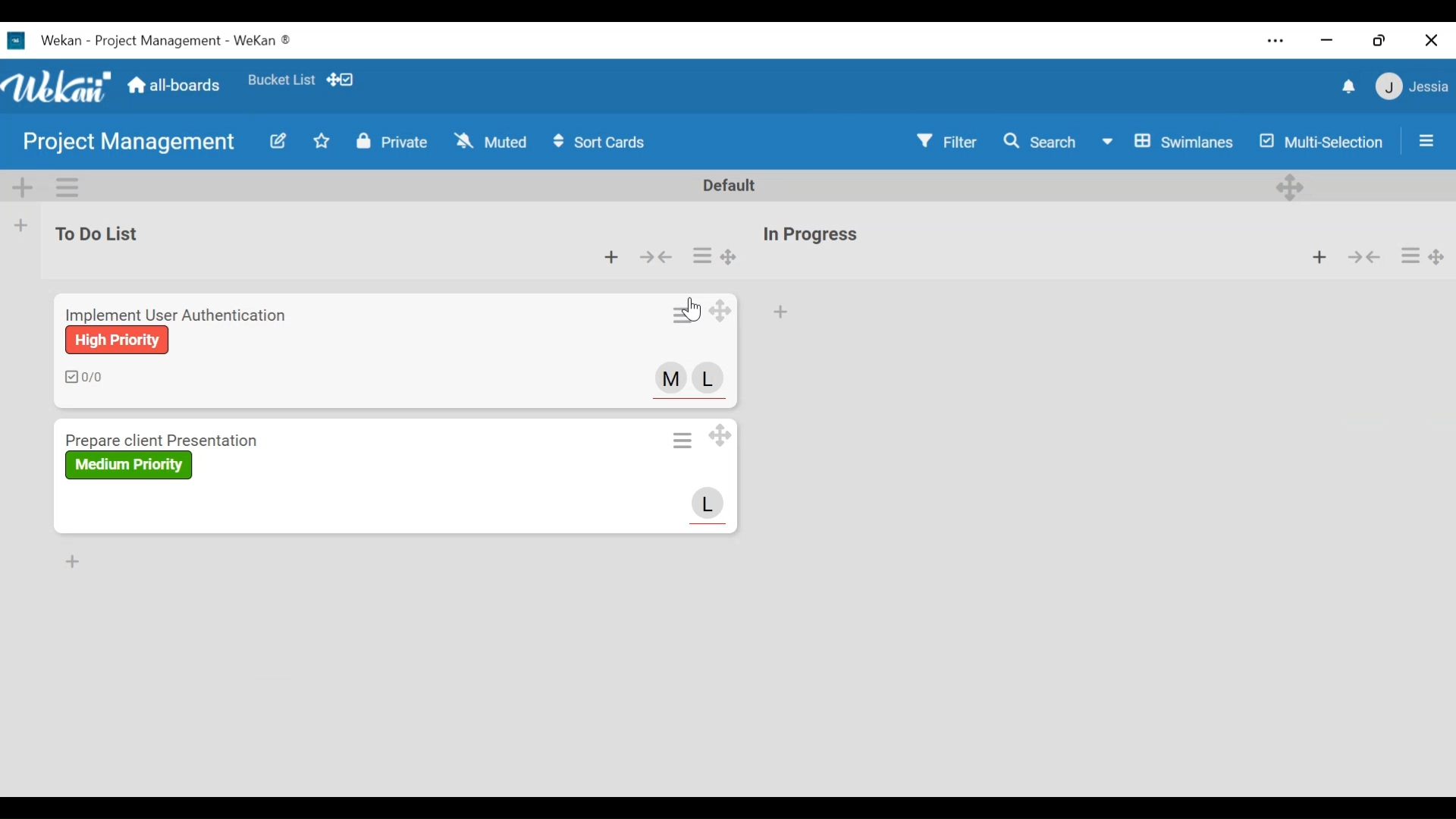  Describe the element at coordinates (1410, 88) in the screenshot. I see `Member menu` at that location.